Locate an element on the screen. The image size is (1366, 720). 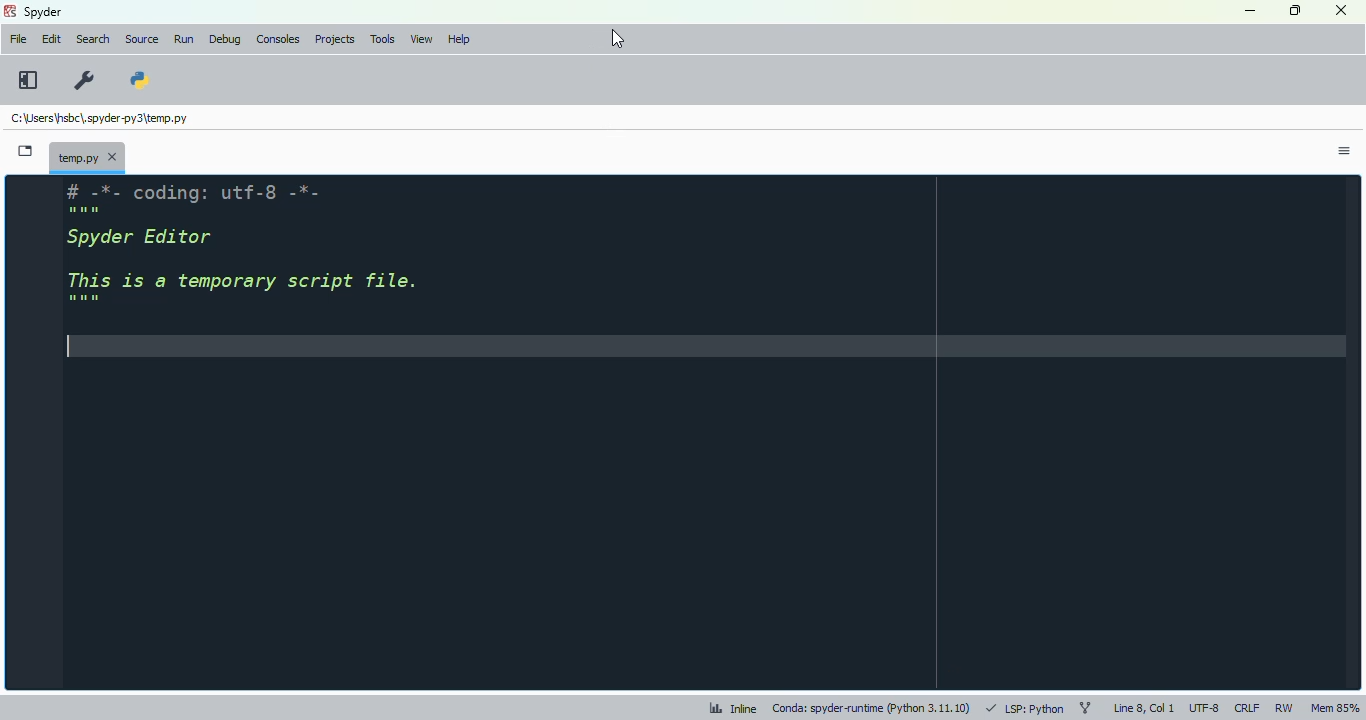
file is located at coordinates (19, 39).